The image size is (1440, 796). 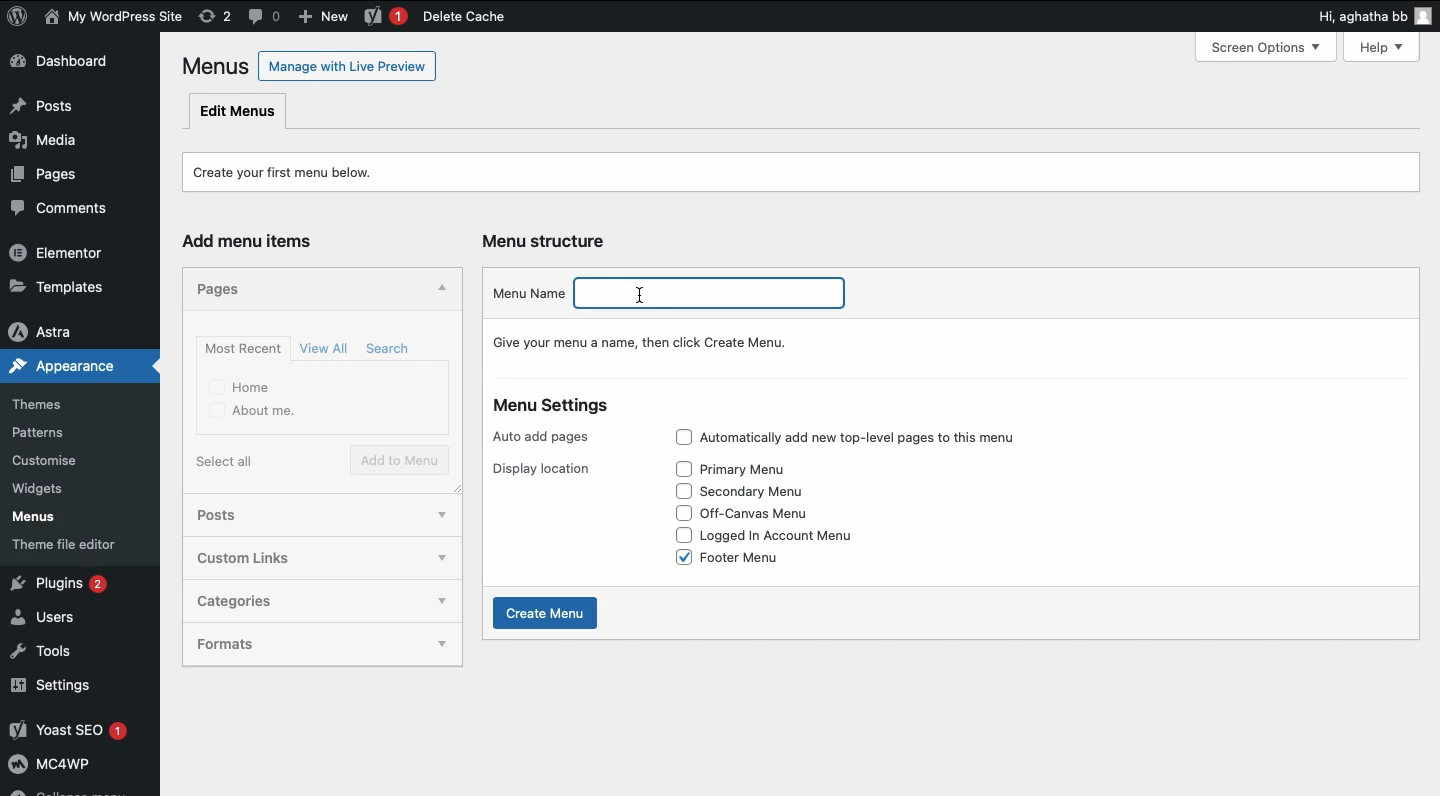 What do you see at coordinates (295, 513) in the screenshot?
I see `Posts` at bounding box center [295, 513].